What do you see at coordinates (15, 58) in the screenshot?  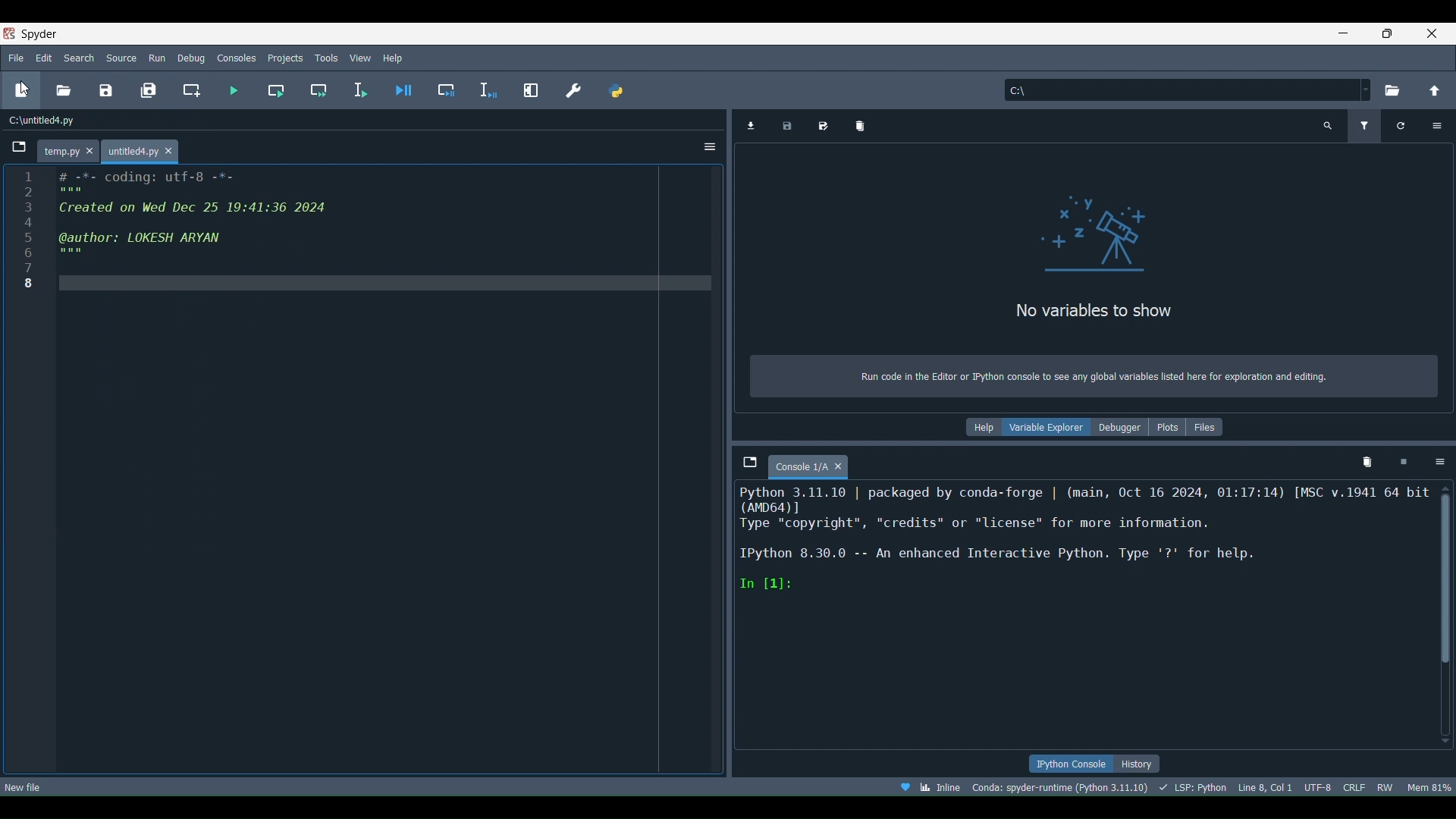 I see `File` at bounding box center [15, 58].